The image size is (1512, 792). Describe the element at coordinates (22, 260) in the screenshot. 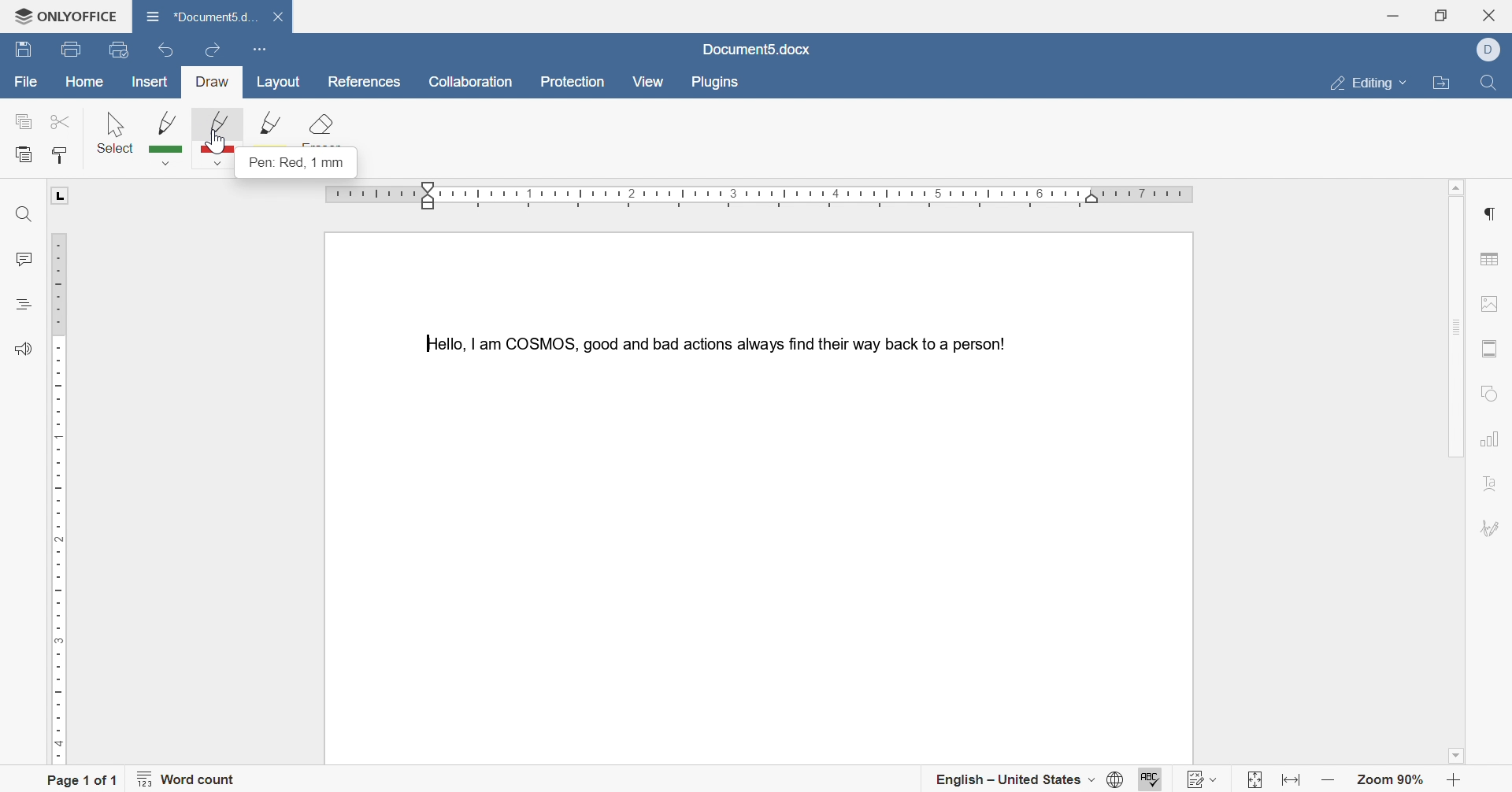

I see `comments` at that location.